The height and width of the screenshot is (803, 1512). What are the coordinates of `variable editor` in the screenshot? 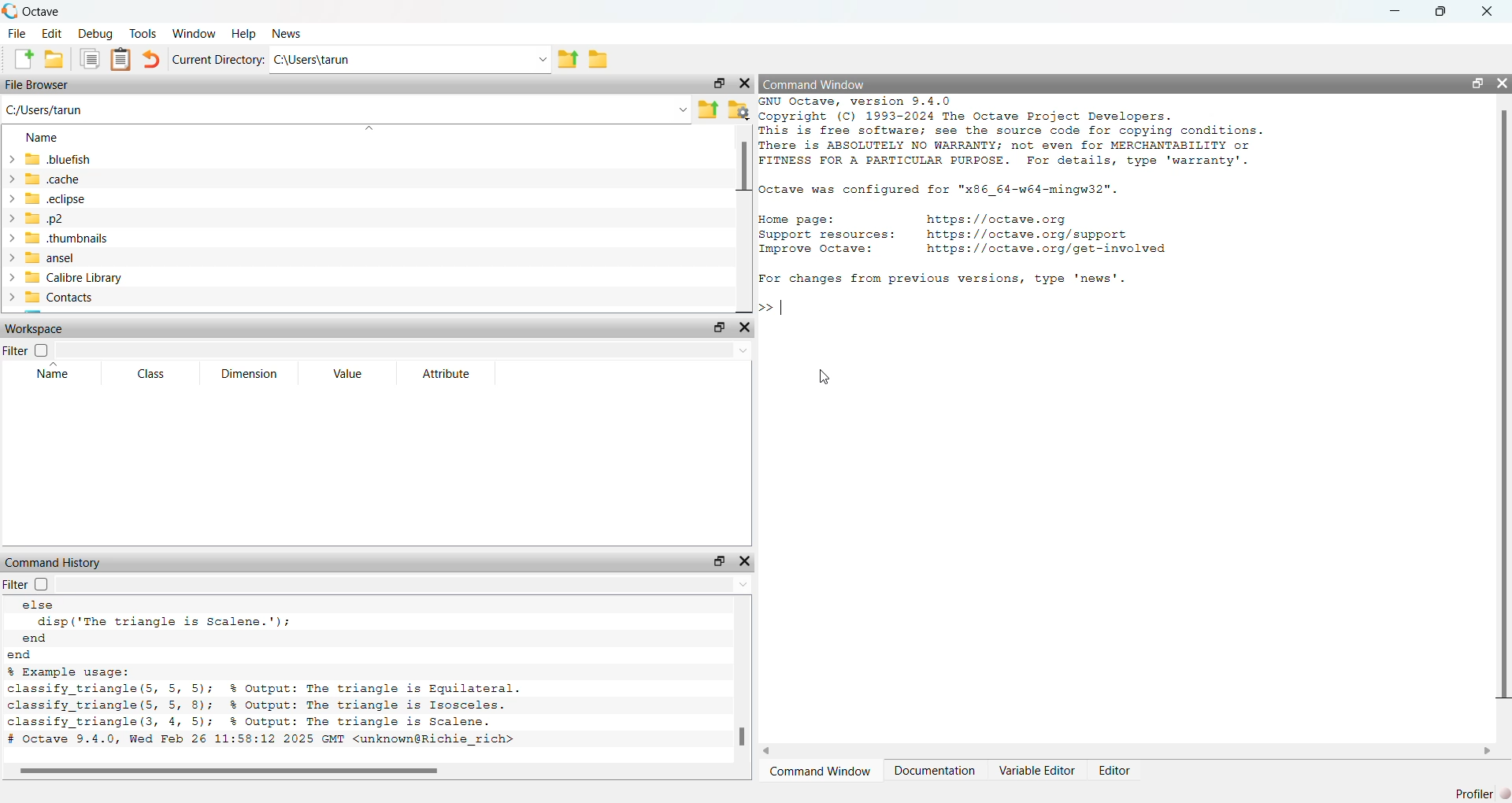 It's located at (1034, 771).